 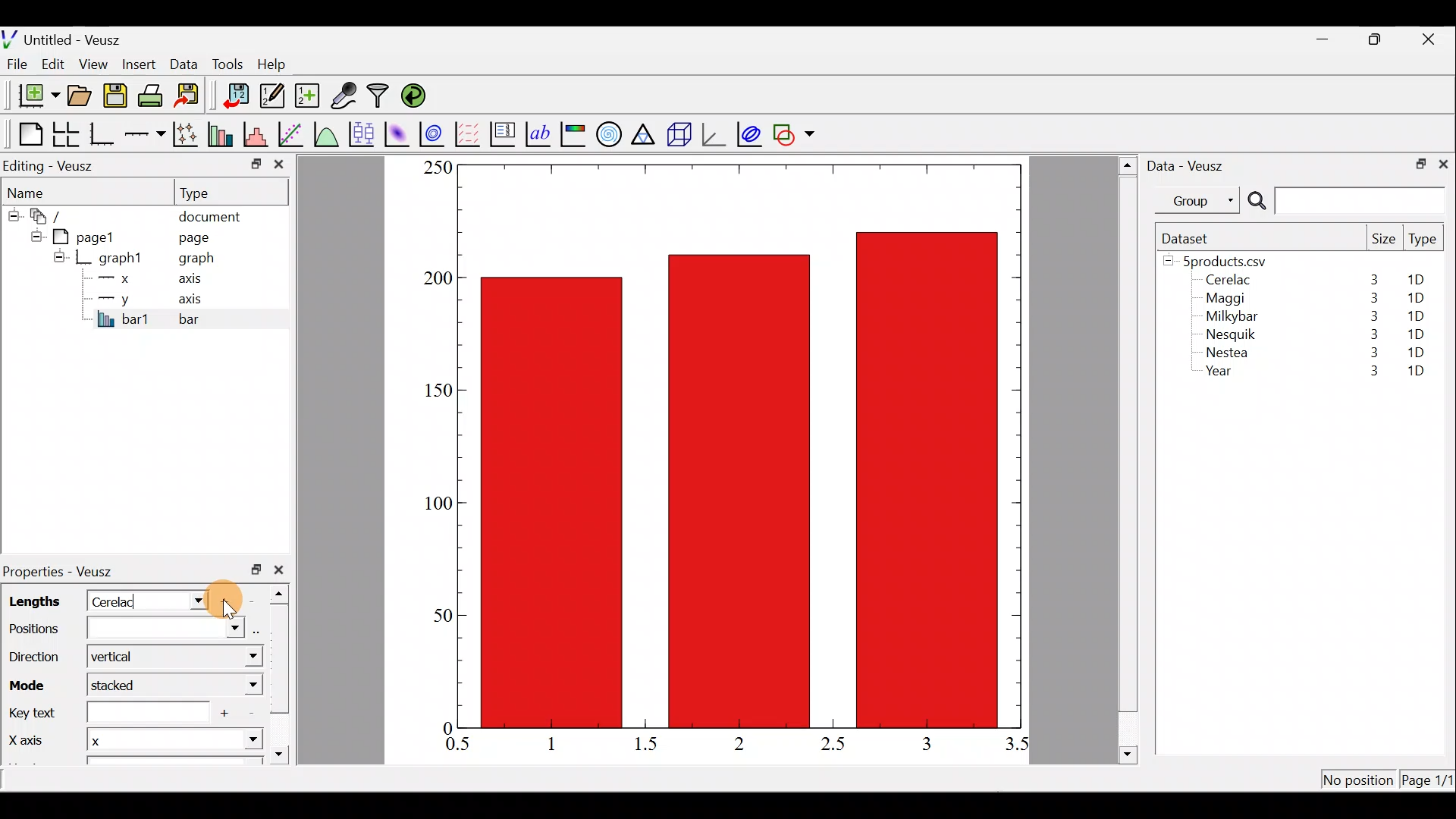 What do you see at coordinates (33, 96) in the screenshot?
I see `New document` at bounding box center [33, 96].